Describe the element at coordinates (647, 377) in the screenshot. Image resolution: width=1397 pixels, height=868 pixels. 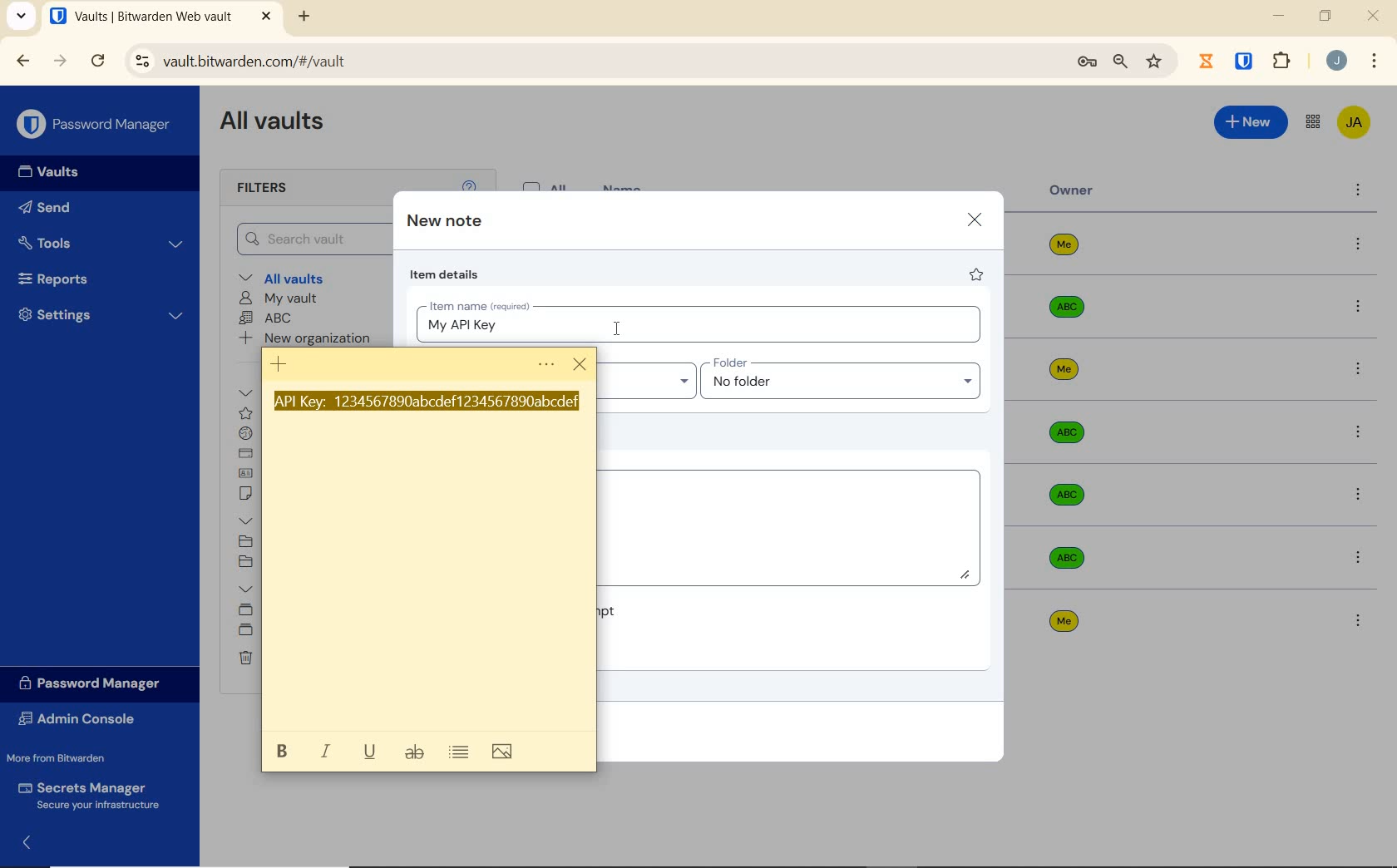
I see `Input Owner` at that location.